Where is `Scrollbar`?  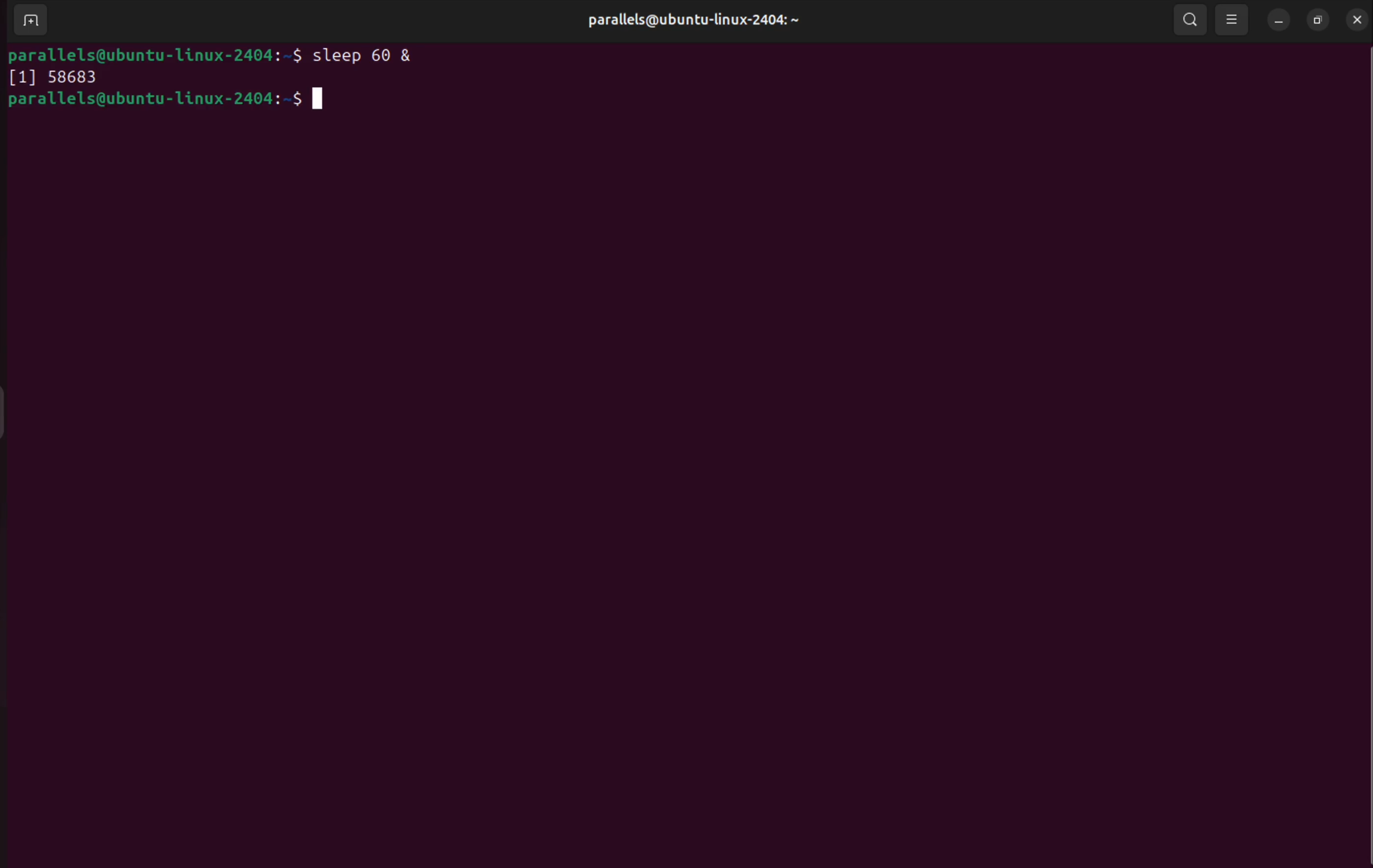 Scrollbar is located at coordinates (1364, 460).